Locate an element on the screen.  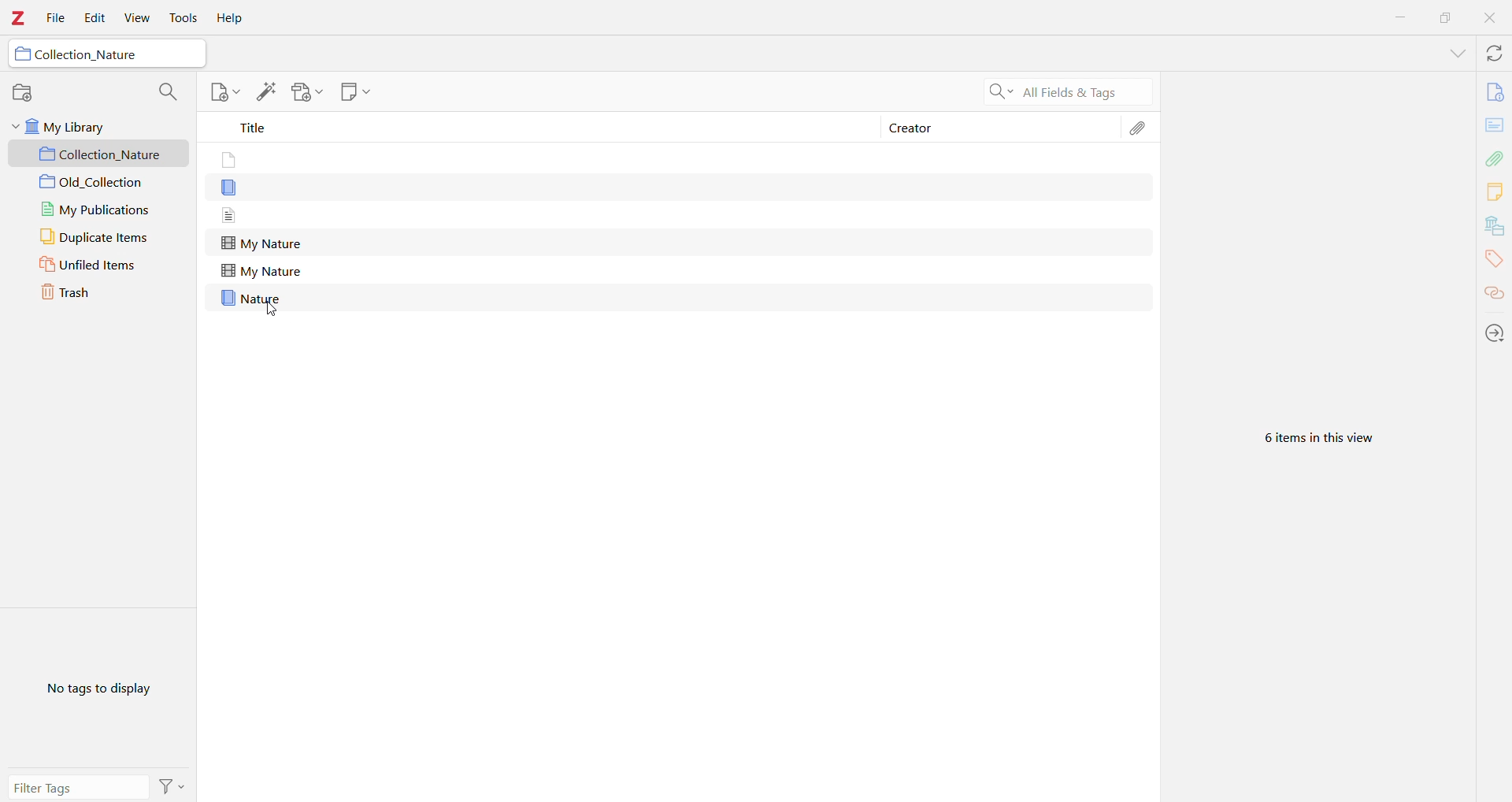
Sync with zotero.org is located at coordinates (1495, 54).